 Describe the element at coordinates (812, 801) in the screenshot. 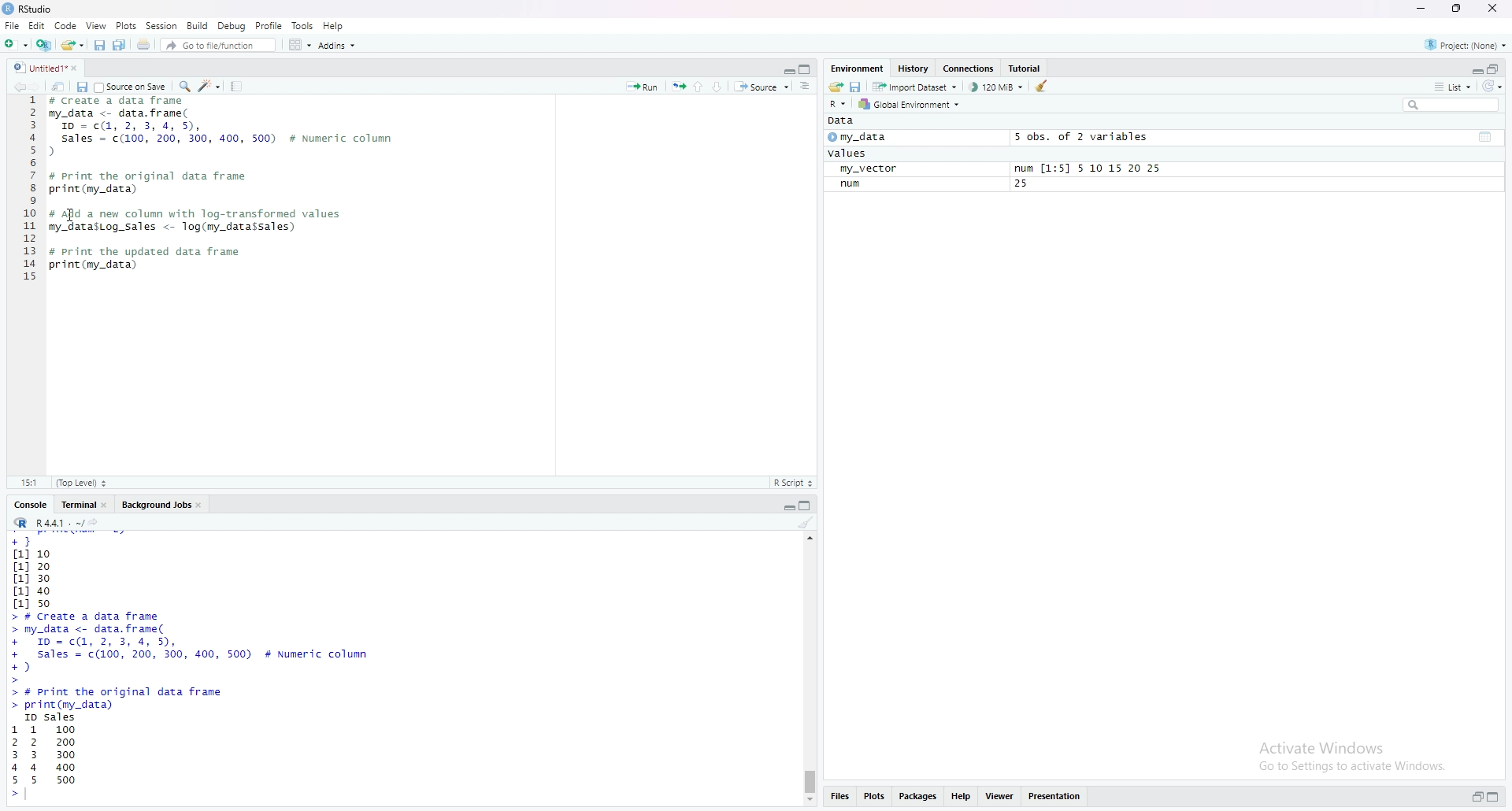

I see `move down` at that location.